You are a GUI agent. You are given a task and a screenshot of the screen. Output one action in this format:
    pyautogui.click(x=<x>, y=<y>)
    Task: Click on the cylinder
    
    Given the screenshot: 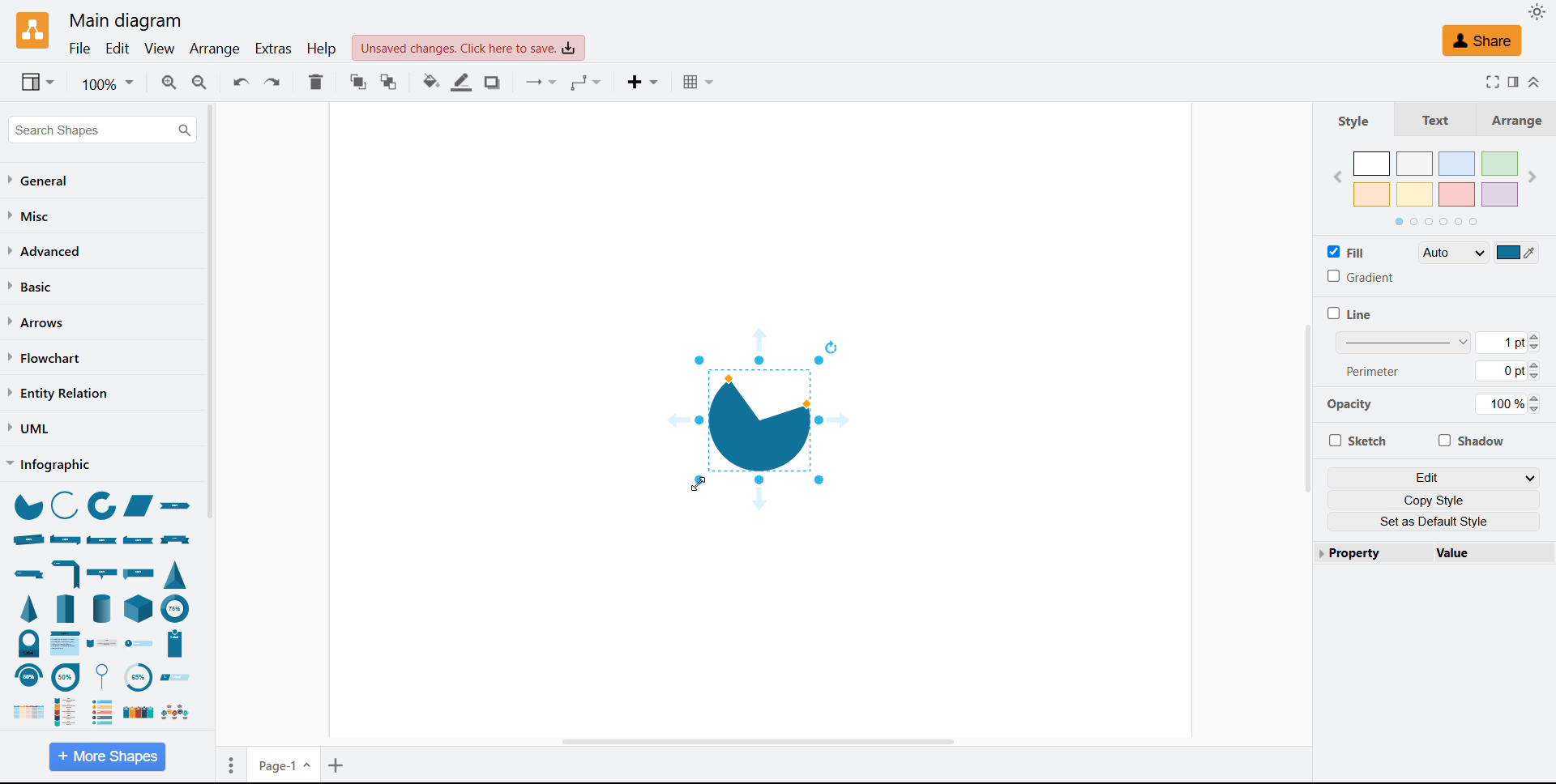 What is the action you would take?
    pyautogui.click(x=102, y=607)
    